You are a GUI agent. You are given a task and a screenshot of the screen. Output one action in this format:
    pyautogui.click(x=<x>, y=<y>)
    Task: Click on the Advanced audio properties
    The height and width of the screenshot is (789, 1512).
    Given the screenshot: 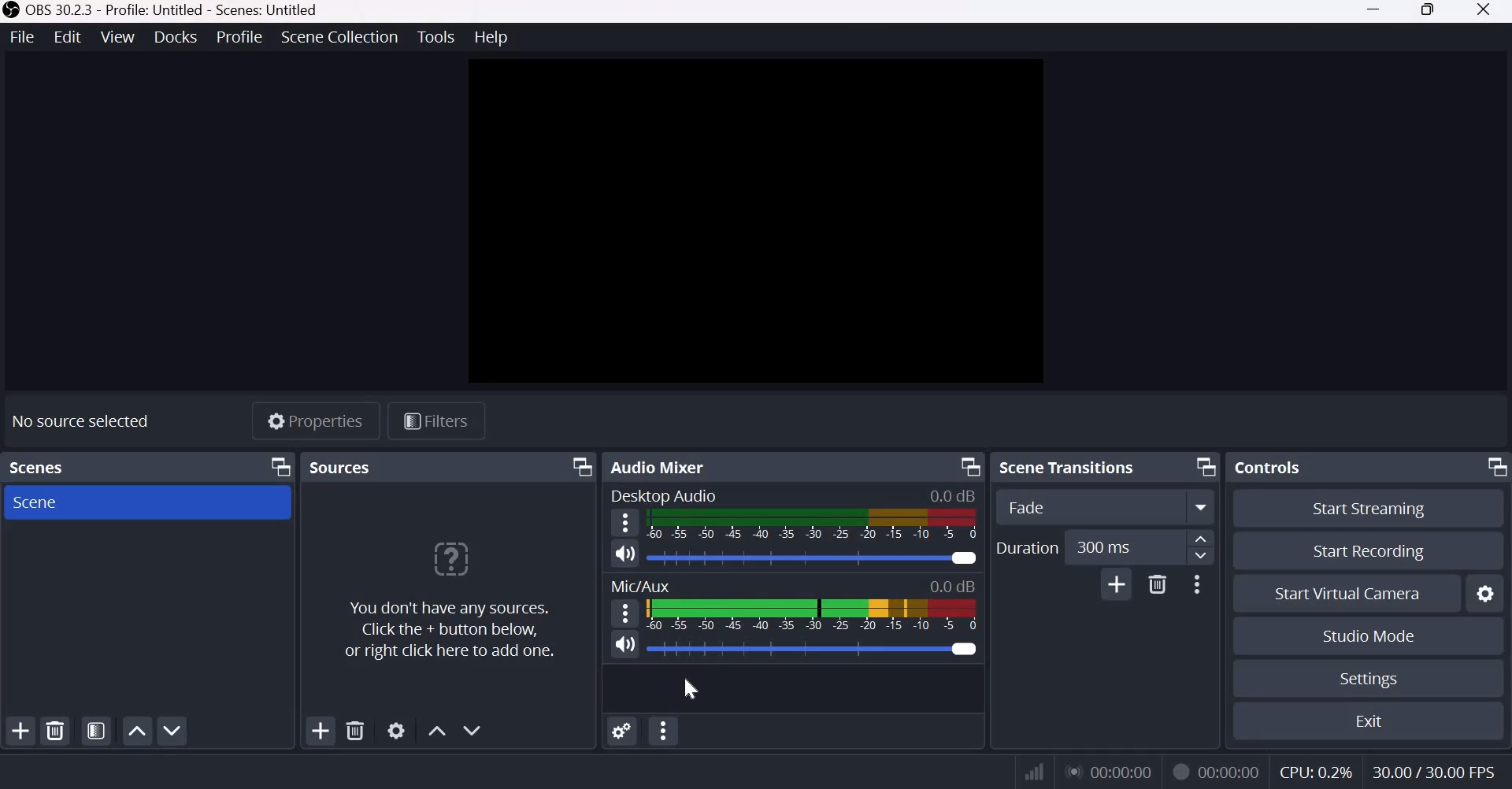 What is the action you would take?
    pyautogui.click(x=662, y=731)
    